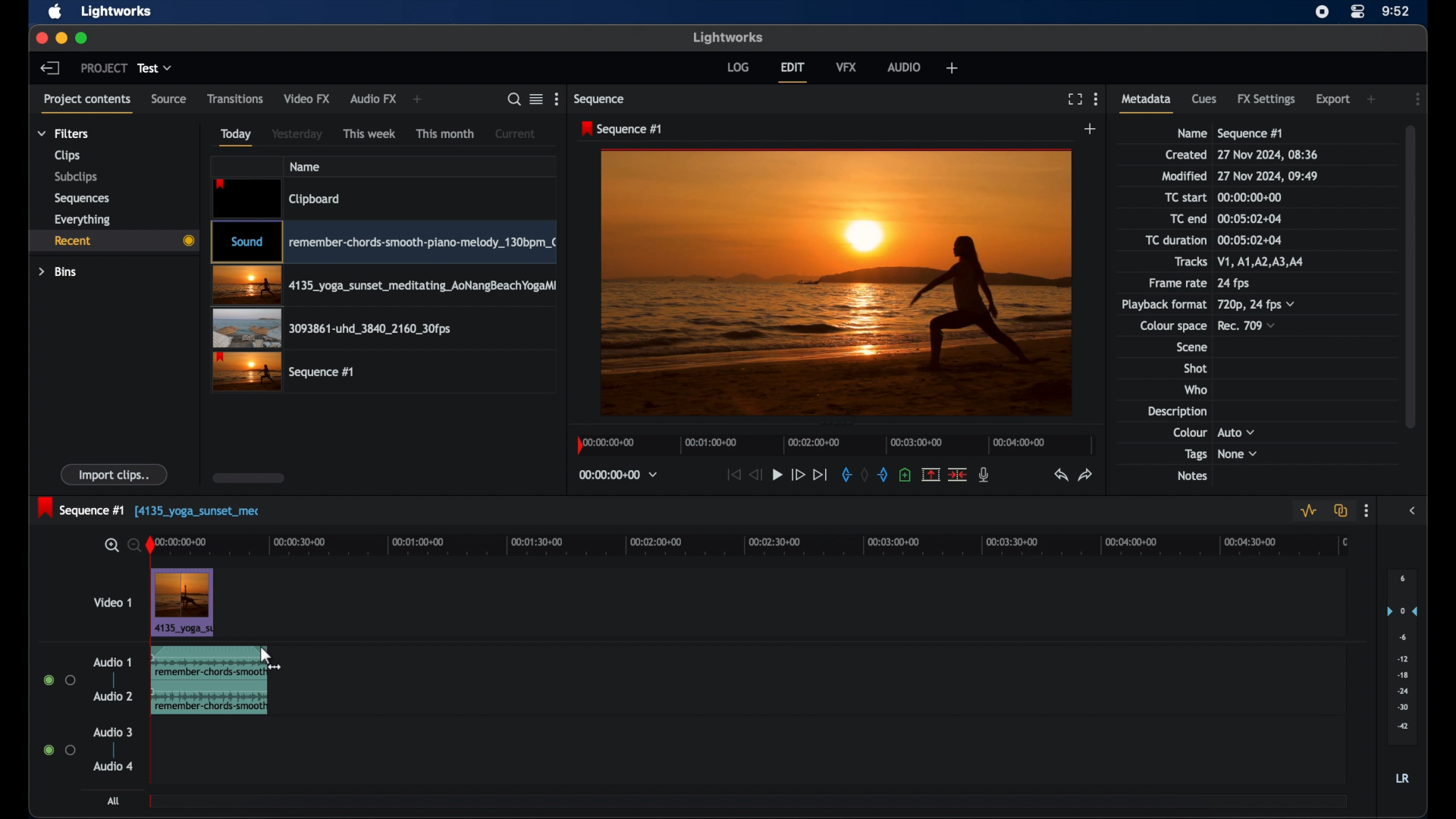  What do you see at coordinates (114, 767) in the screenshot?
I see `audio 4` at bounding box center [114, 767].